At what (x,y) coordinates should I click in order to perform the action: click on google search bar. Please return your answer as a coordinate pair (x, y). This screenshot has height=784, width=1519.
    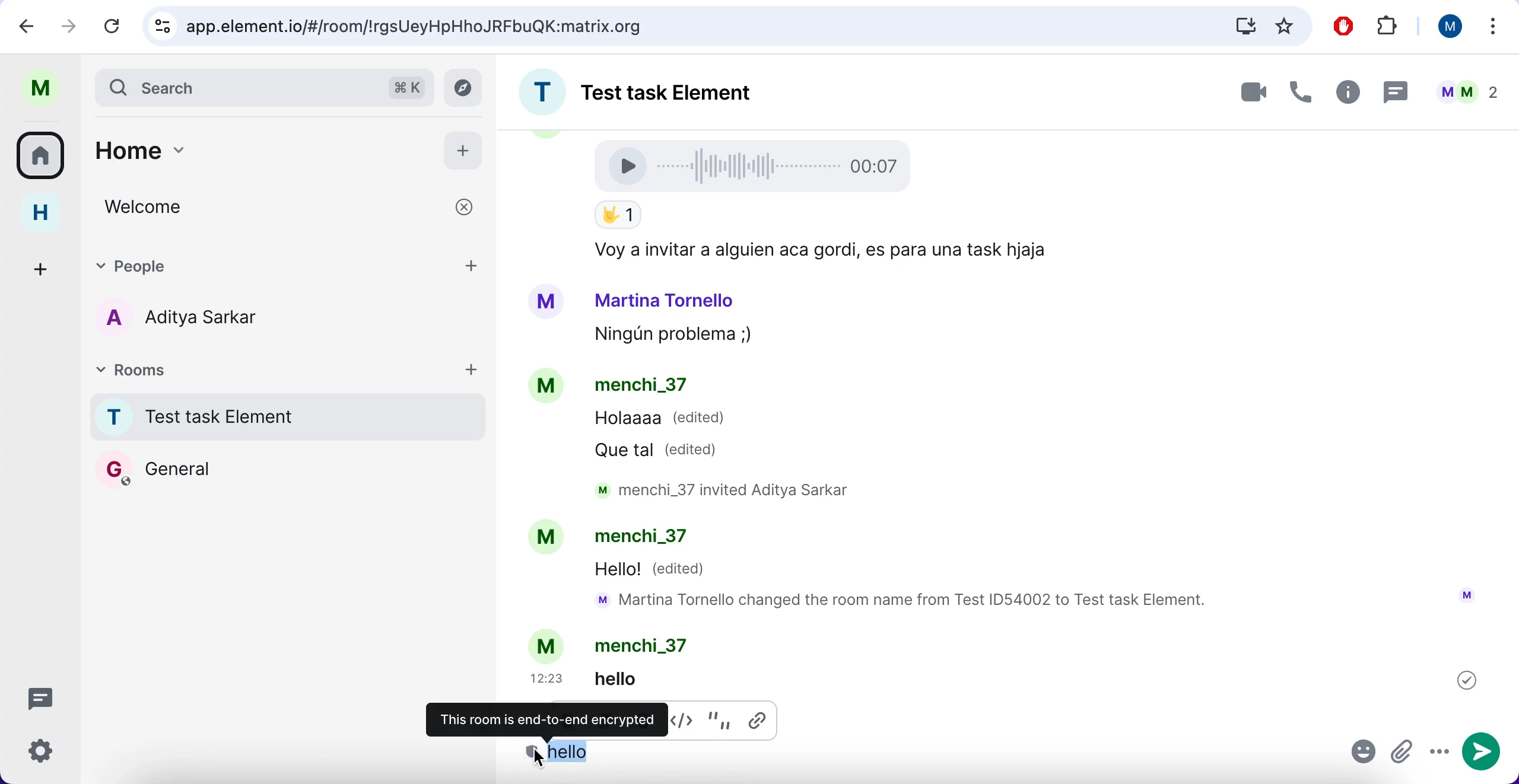
    Looking at the image, I should click on (670, 27).